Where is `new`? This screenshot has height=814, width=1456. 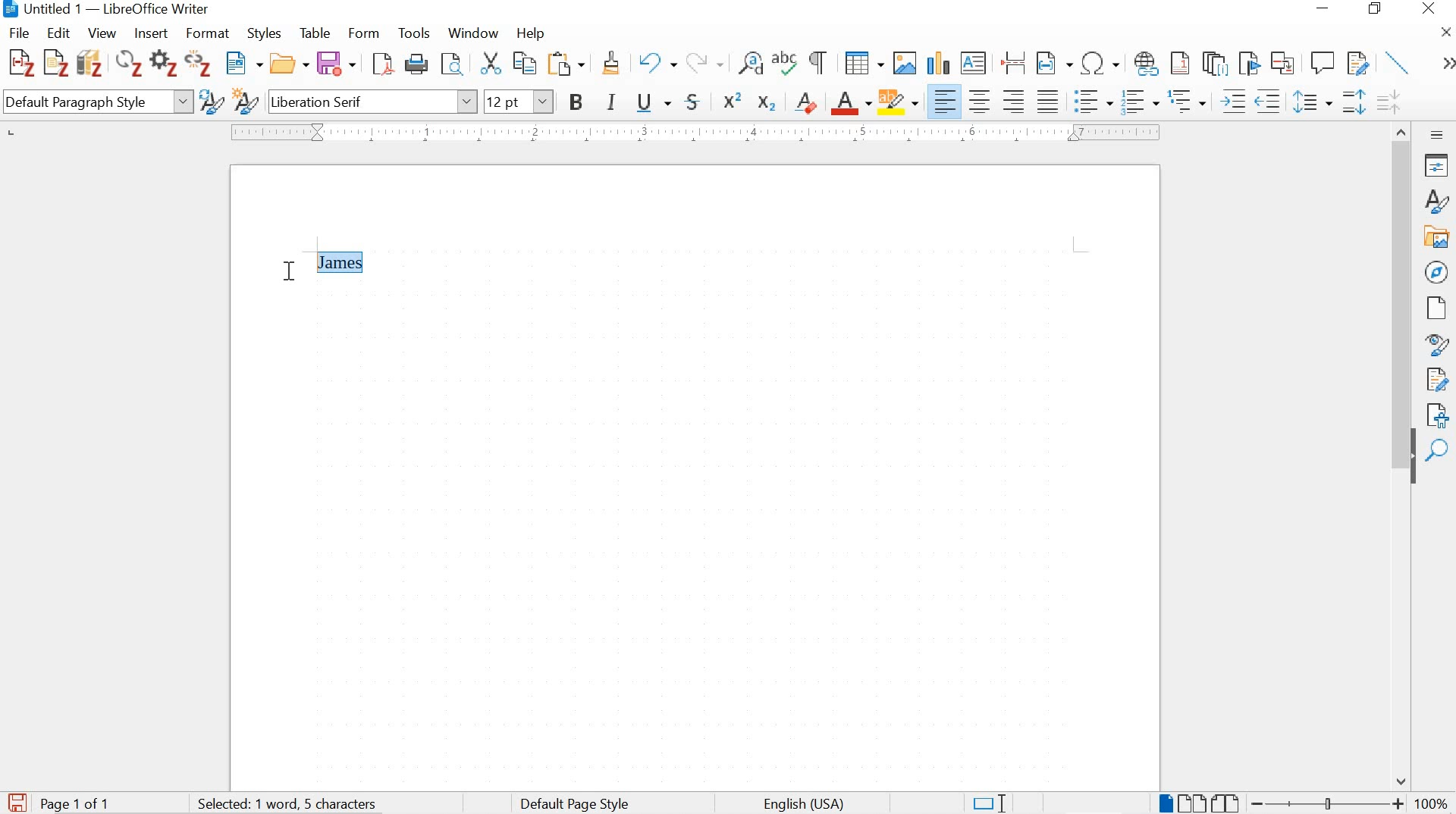 new is located at coordinates (245, 64).